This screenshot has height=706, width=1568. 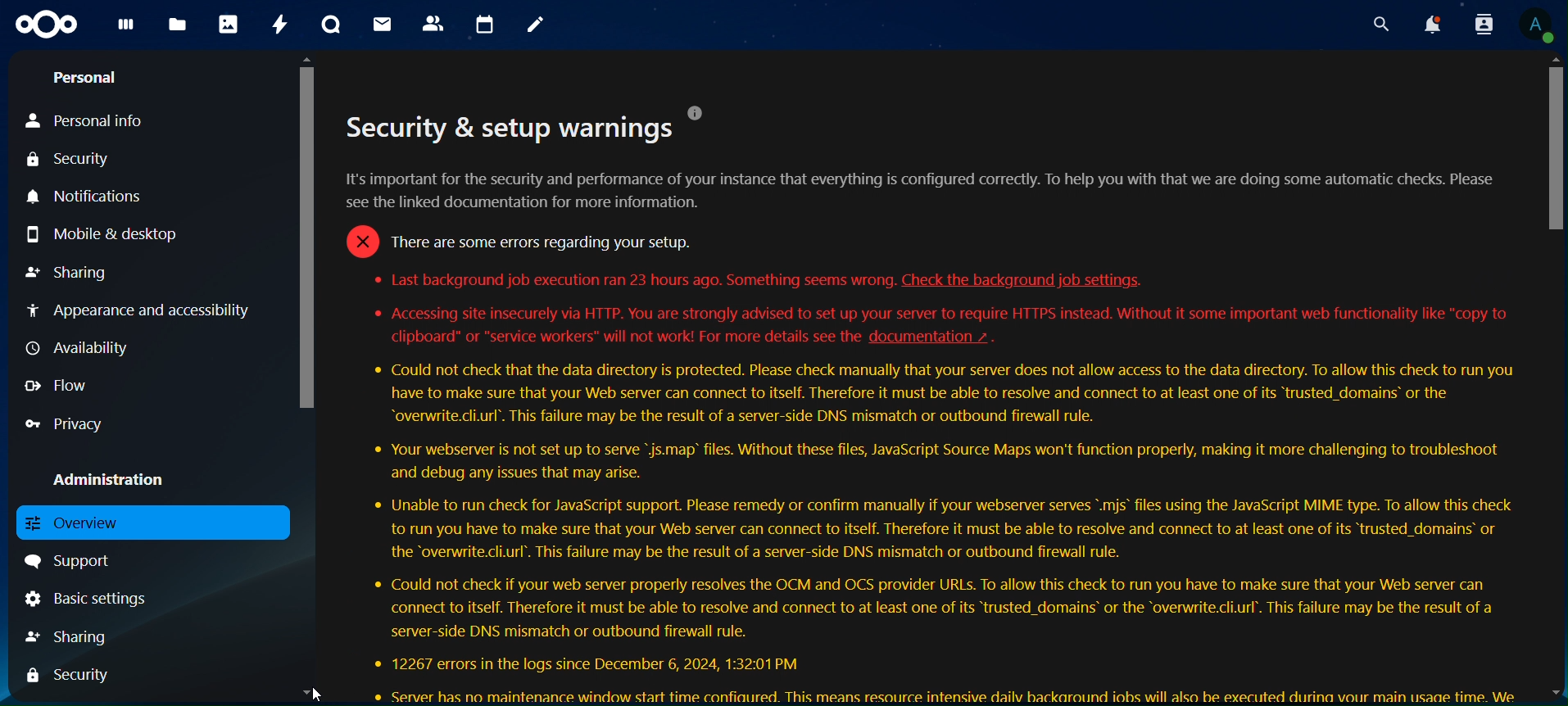 I want to click on Scrollbar, so click(x=307, y=378).